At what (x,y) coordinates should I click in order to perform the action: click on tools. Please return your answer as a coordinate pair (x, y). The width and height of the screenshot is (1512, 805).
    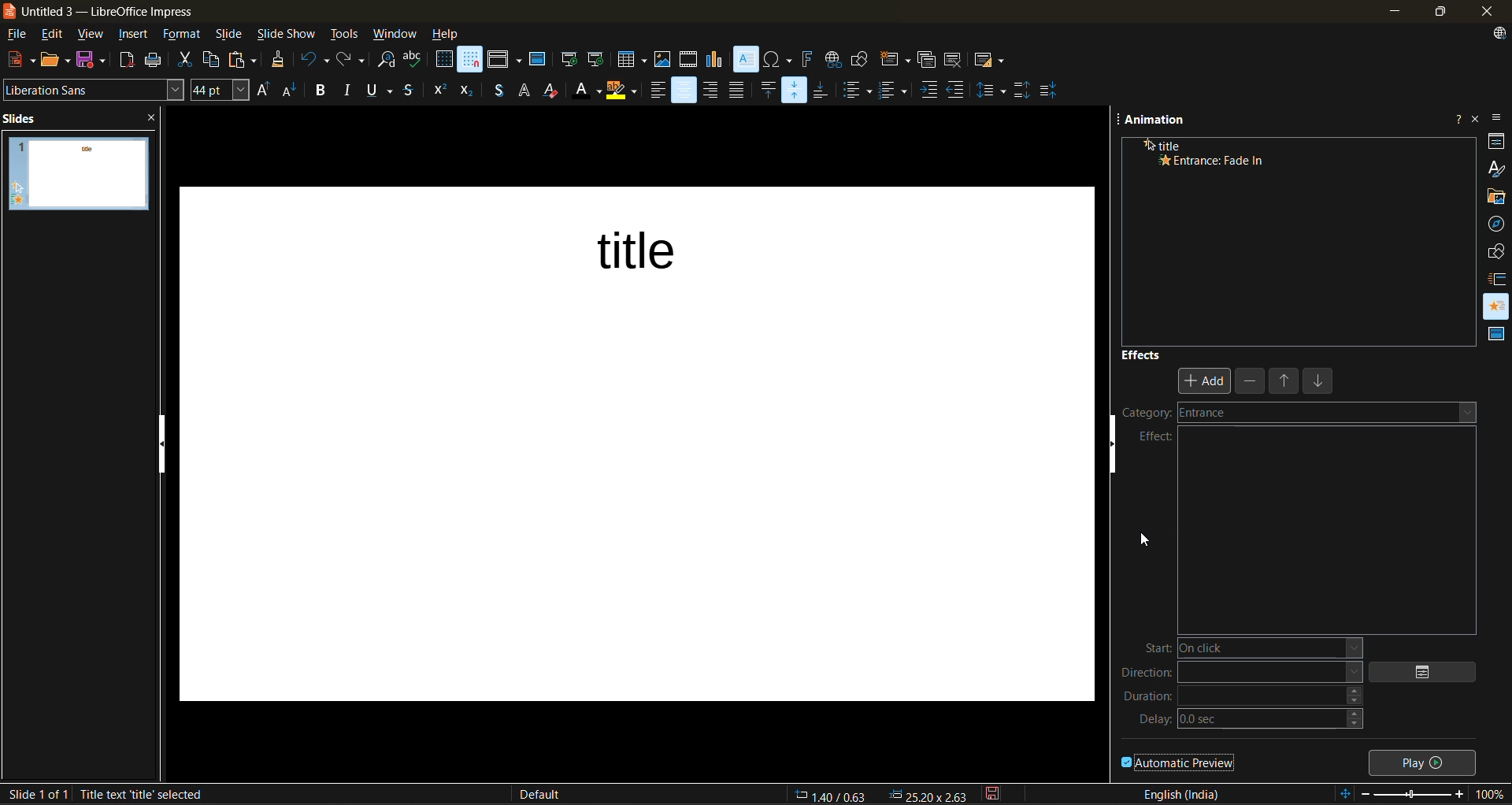
    Looking at the image, I should click on (345, 36).